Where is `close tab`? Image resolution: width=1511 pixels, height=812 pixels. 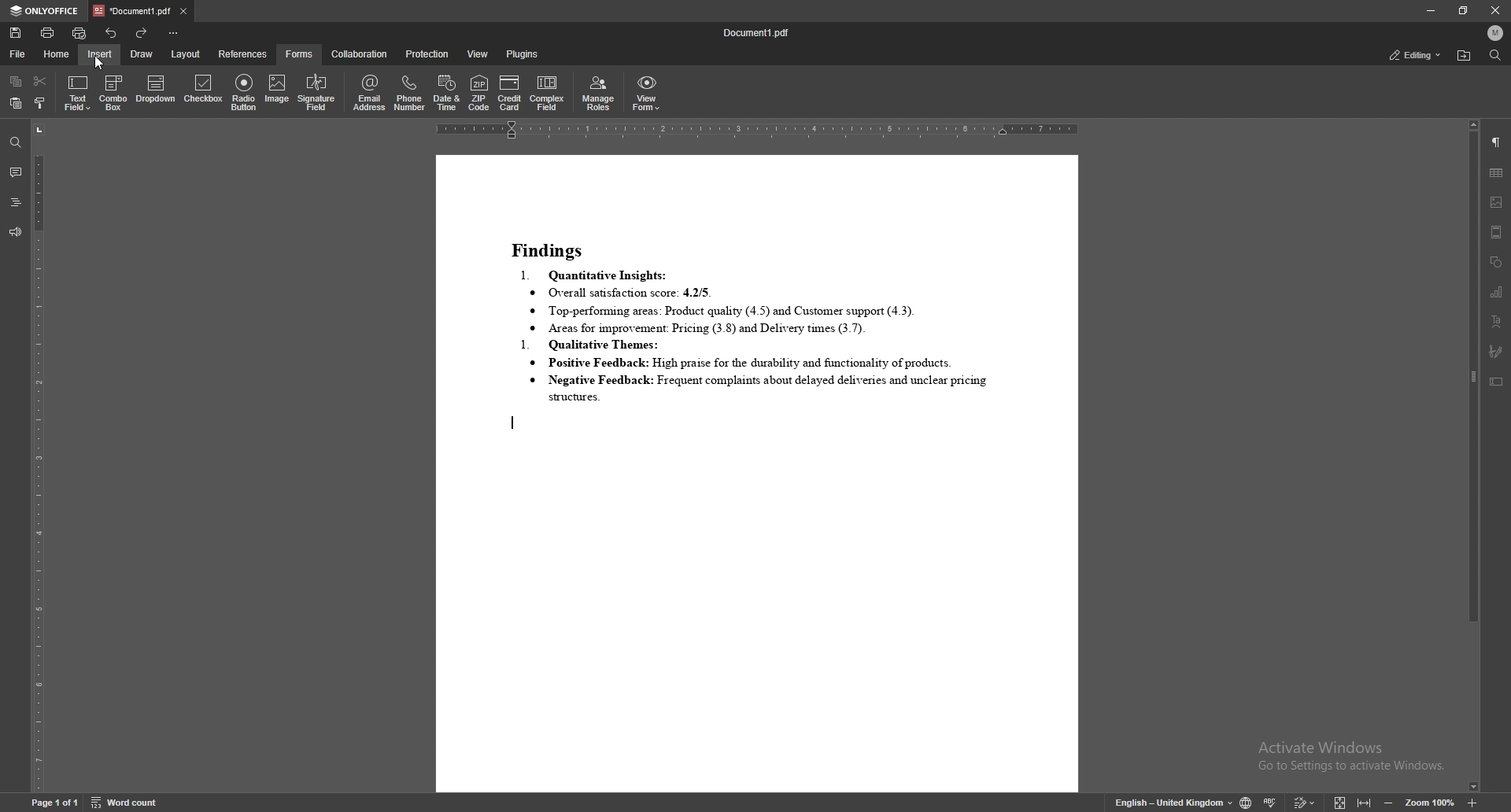
close tab is located at coordinates (183, 12).